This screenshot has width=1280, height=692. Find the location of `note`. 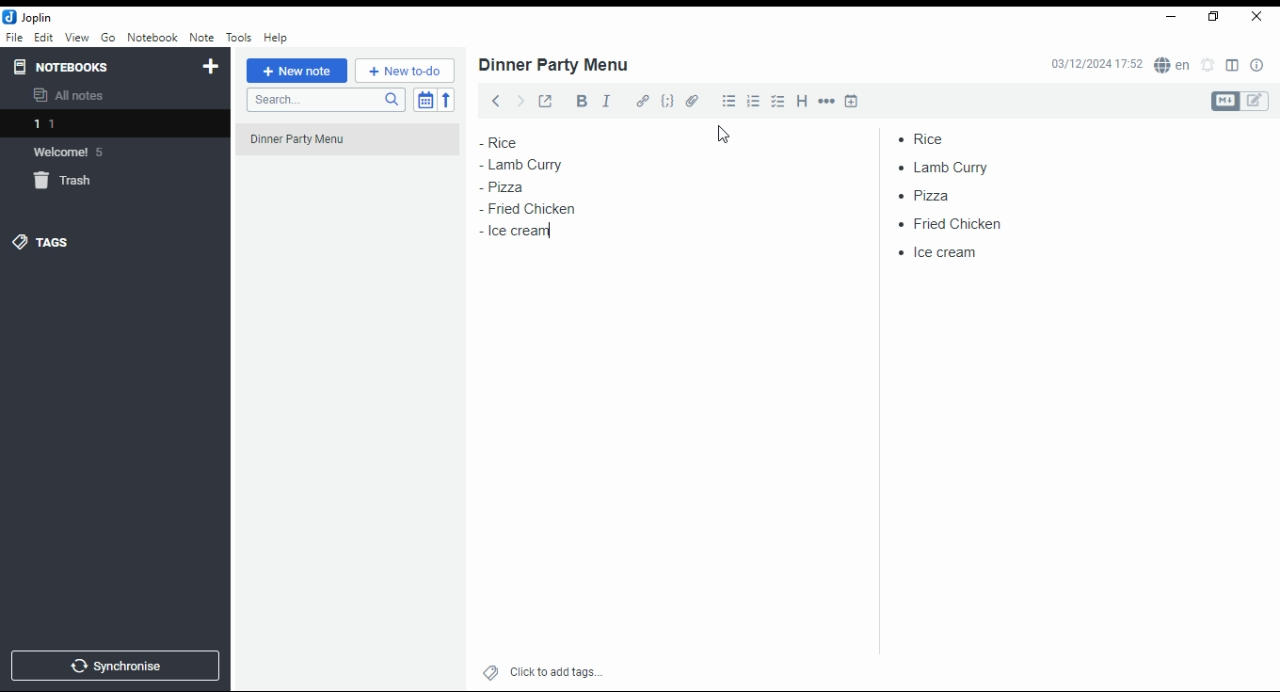

note is located at coordinates (200, 38).